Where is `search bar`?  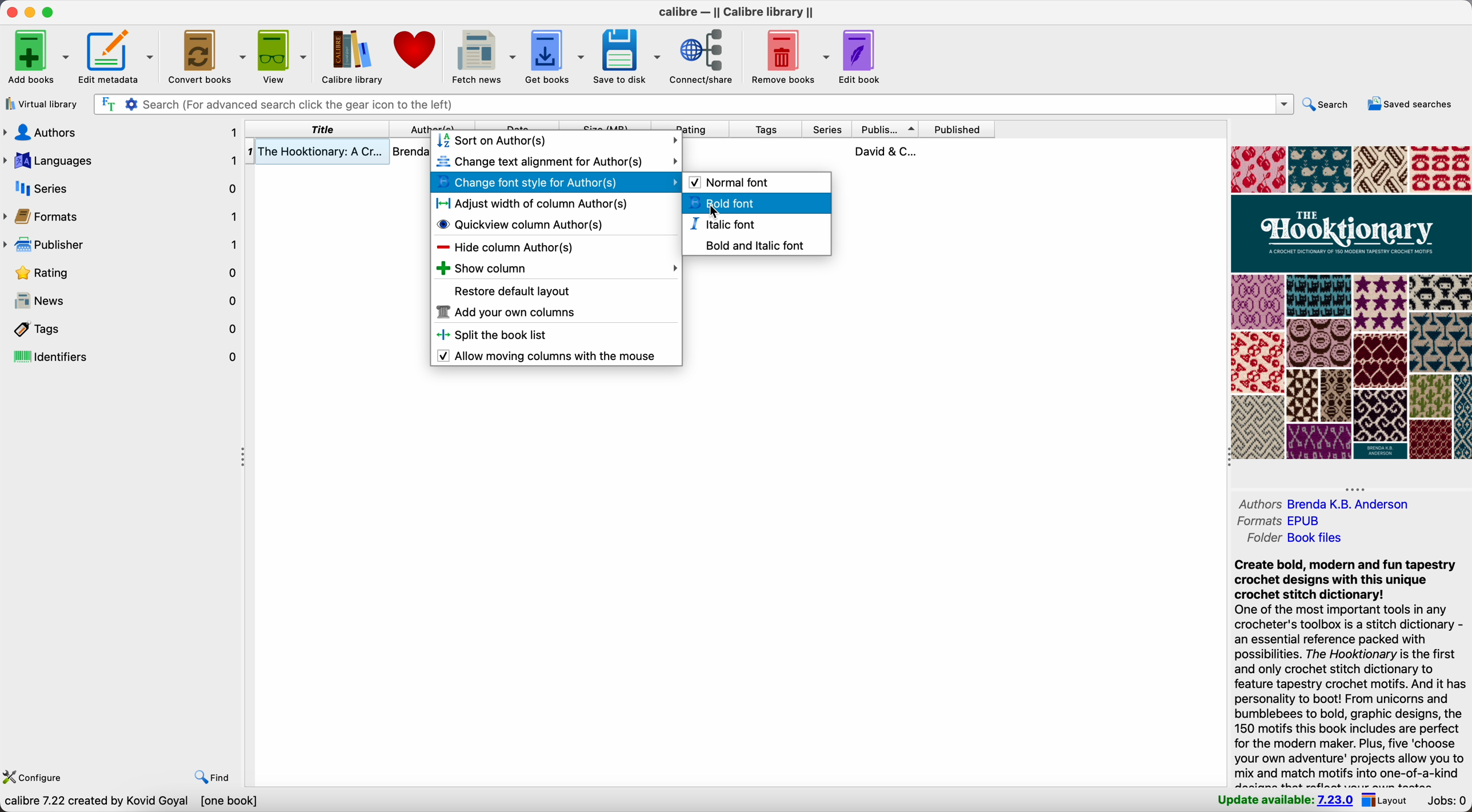
search bar is located at coordinates (694, 104).